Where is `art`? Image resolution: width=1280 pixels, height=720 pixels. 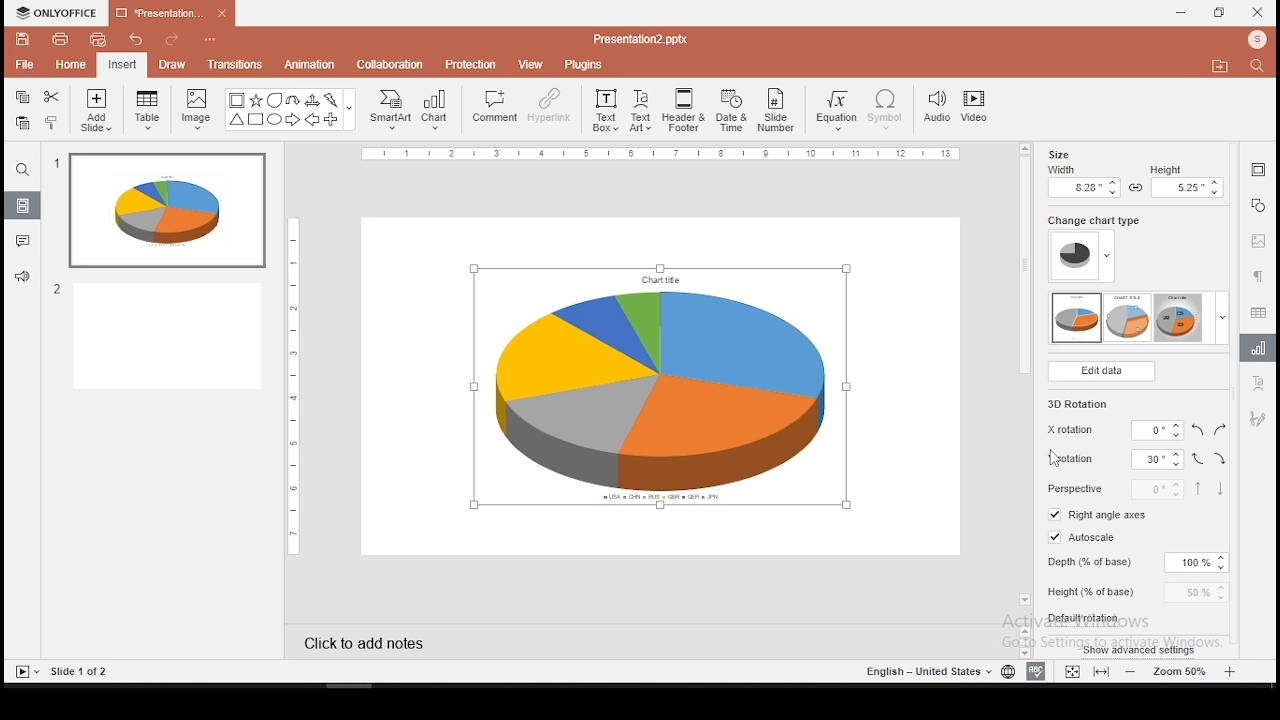 art is located at coordinates (1257, 420).